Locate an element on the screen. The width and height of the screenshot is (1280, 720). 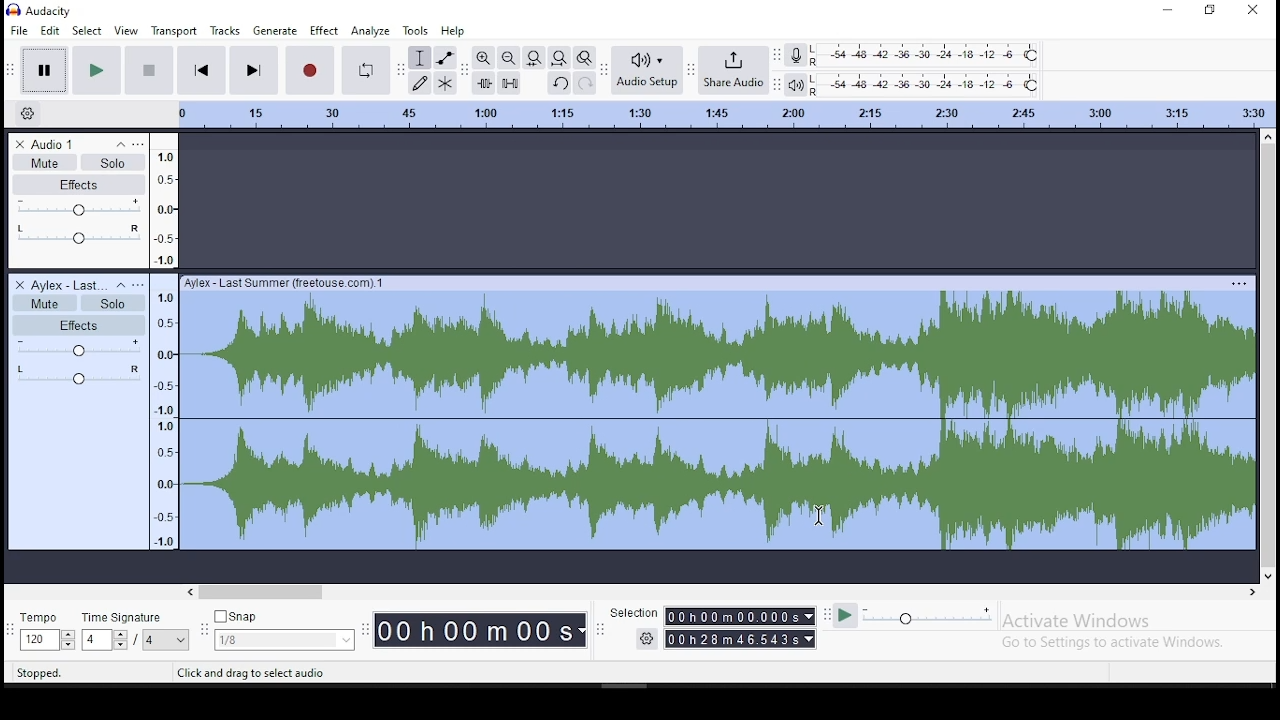
redo is located at coordinates (583, 83).